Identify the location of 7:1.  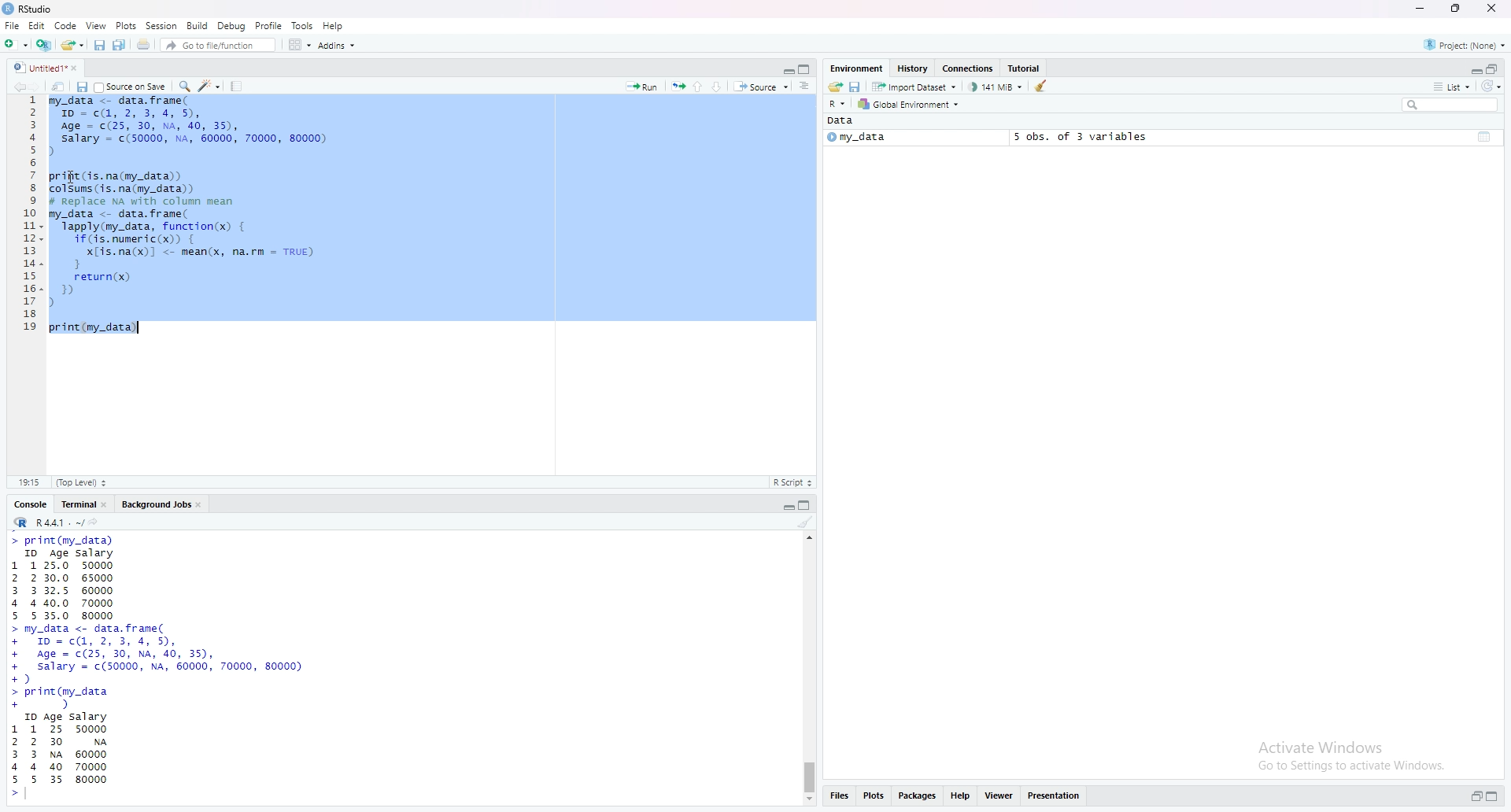
(29, 481).